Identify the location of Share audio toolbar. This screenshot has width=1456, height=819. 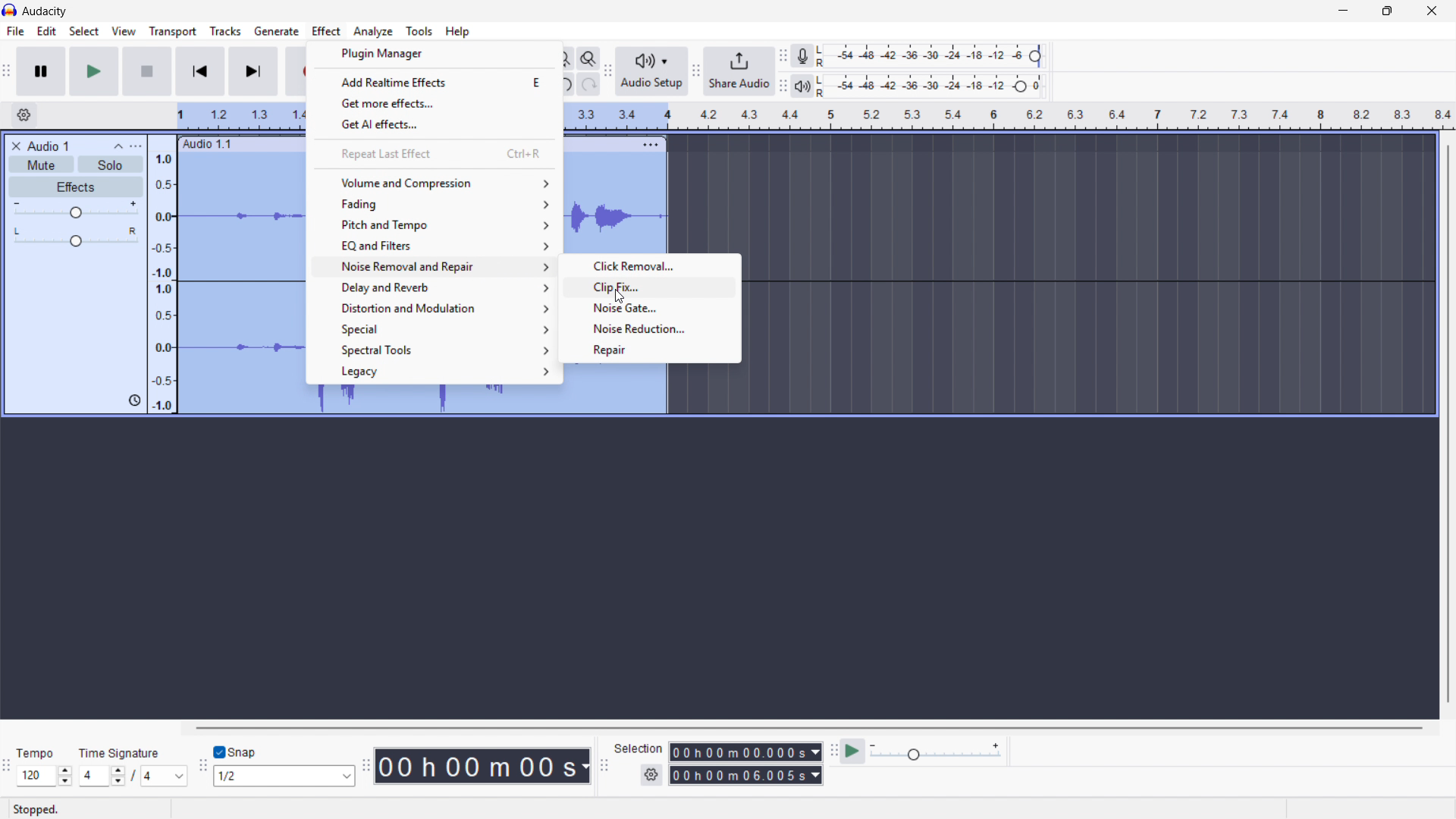
(696, 71).